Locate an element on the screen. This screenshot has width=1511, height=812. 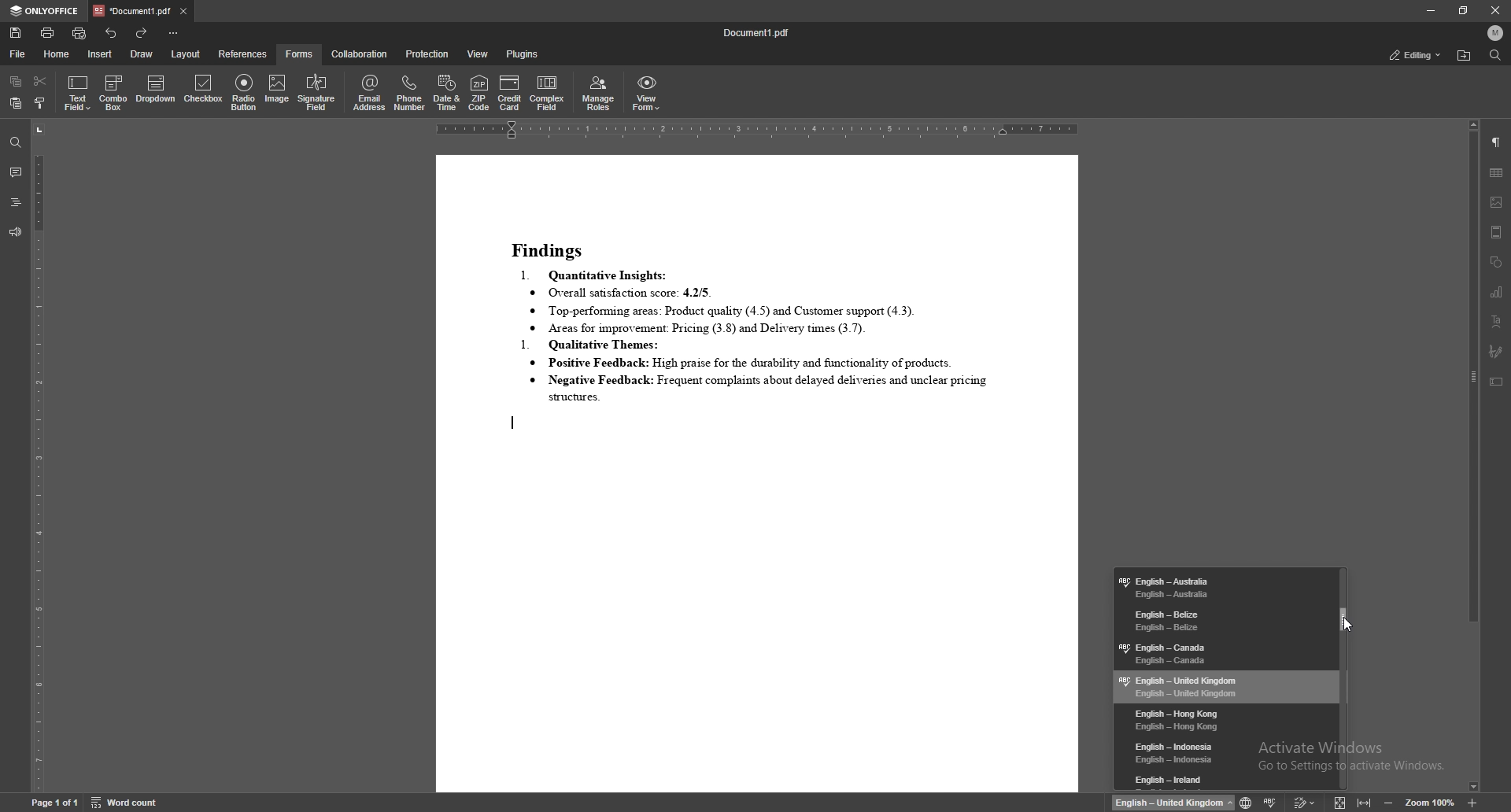
locate file is located at coordinates (1464, 56).